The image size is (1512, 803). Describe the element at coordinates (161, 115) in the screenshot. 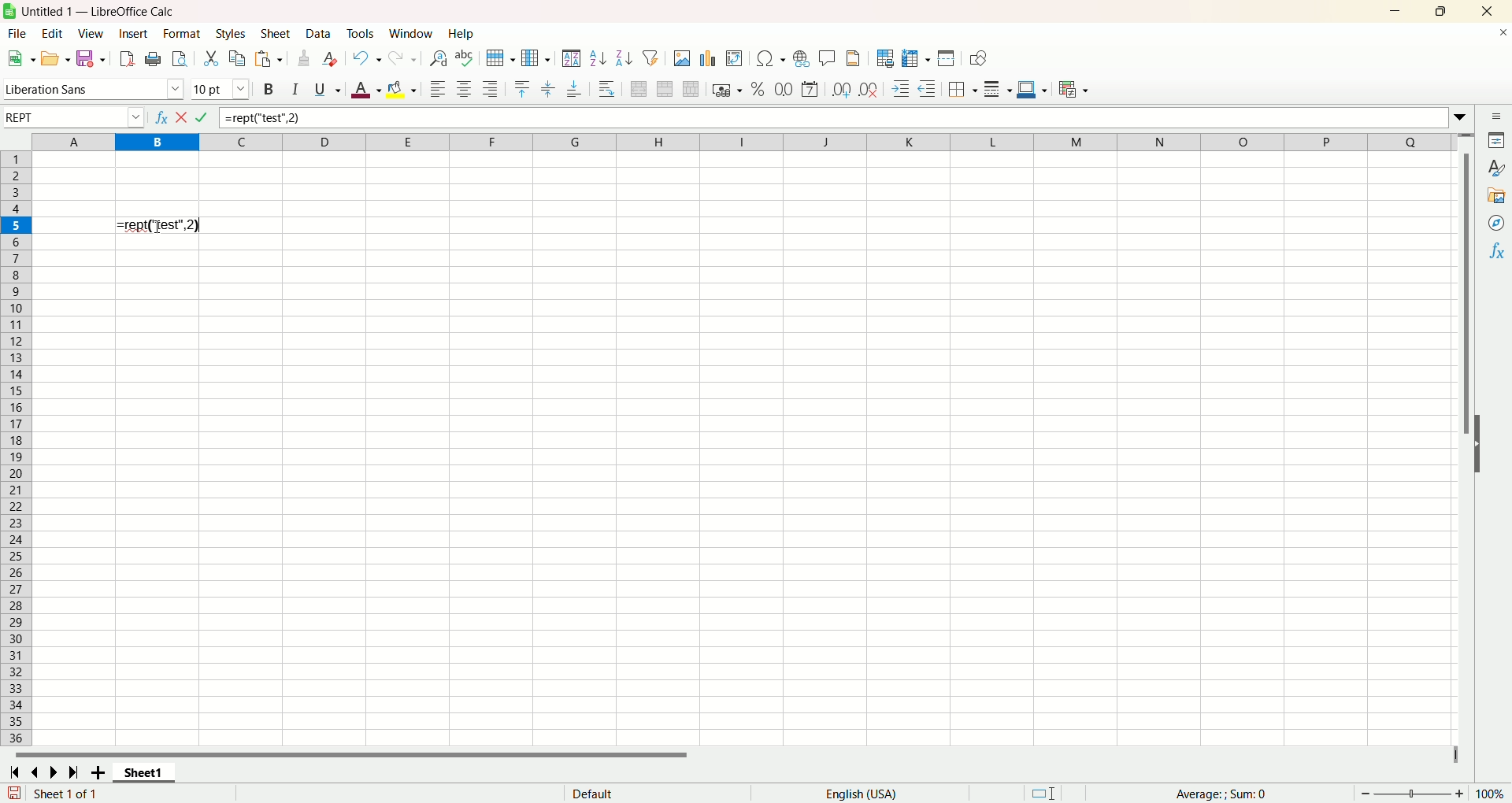

I see `function wizard` at that location.